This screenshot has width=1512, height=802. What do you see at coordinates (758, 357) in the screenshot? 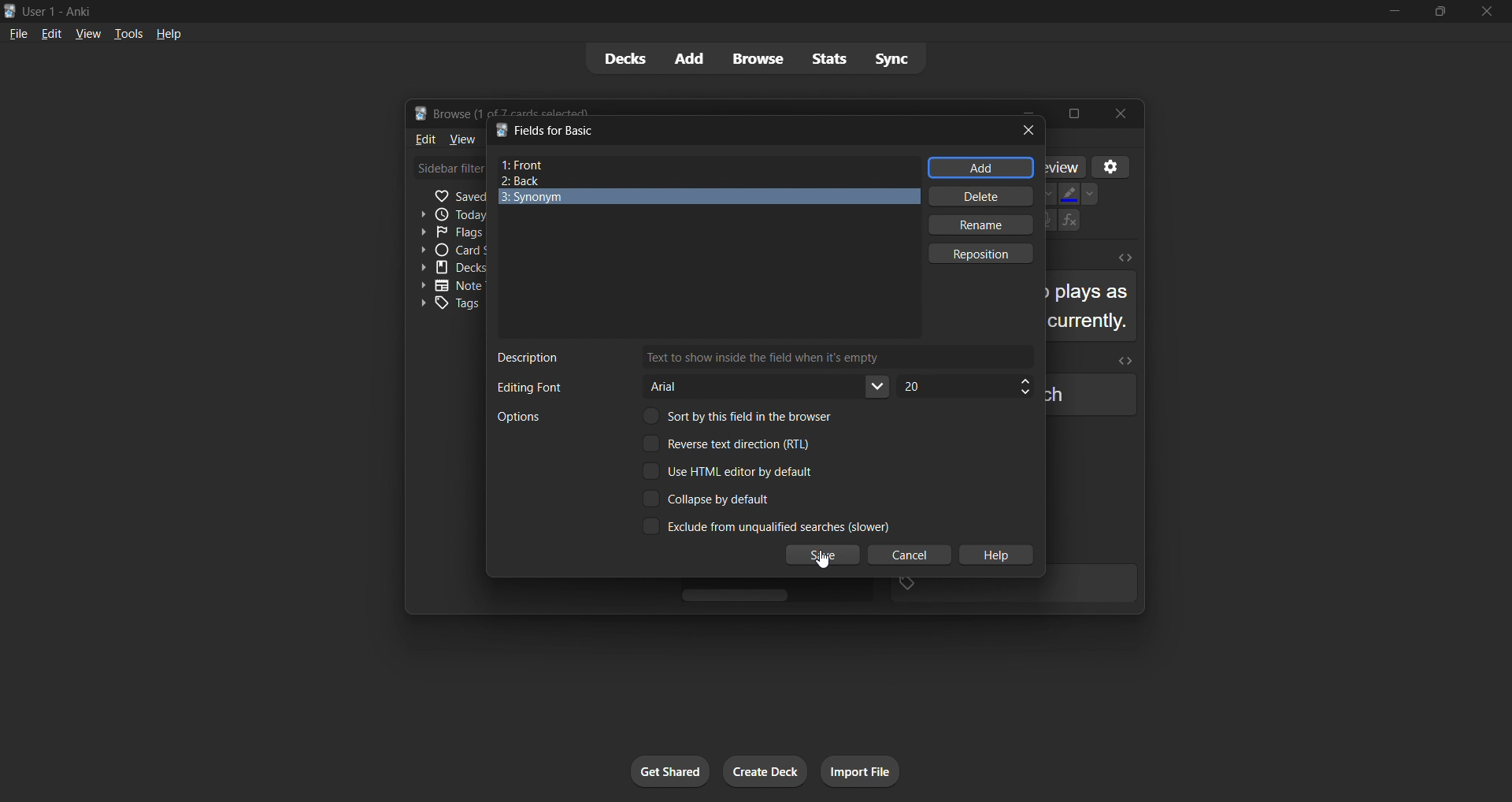
I see `field description` at bounding box center [758, 357].